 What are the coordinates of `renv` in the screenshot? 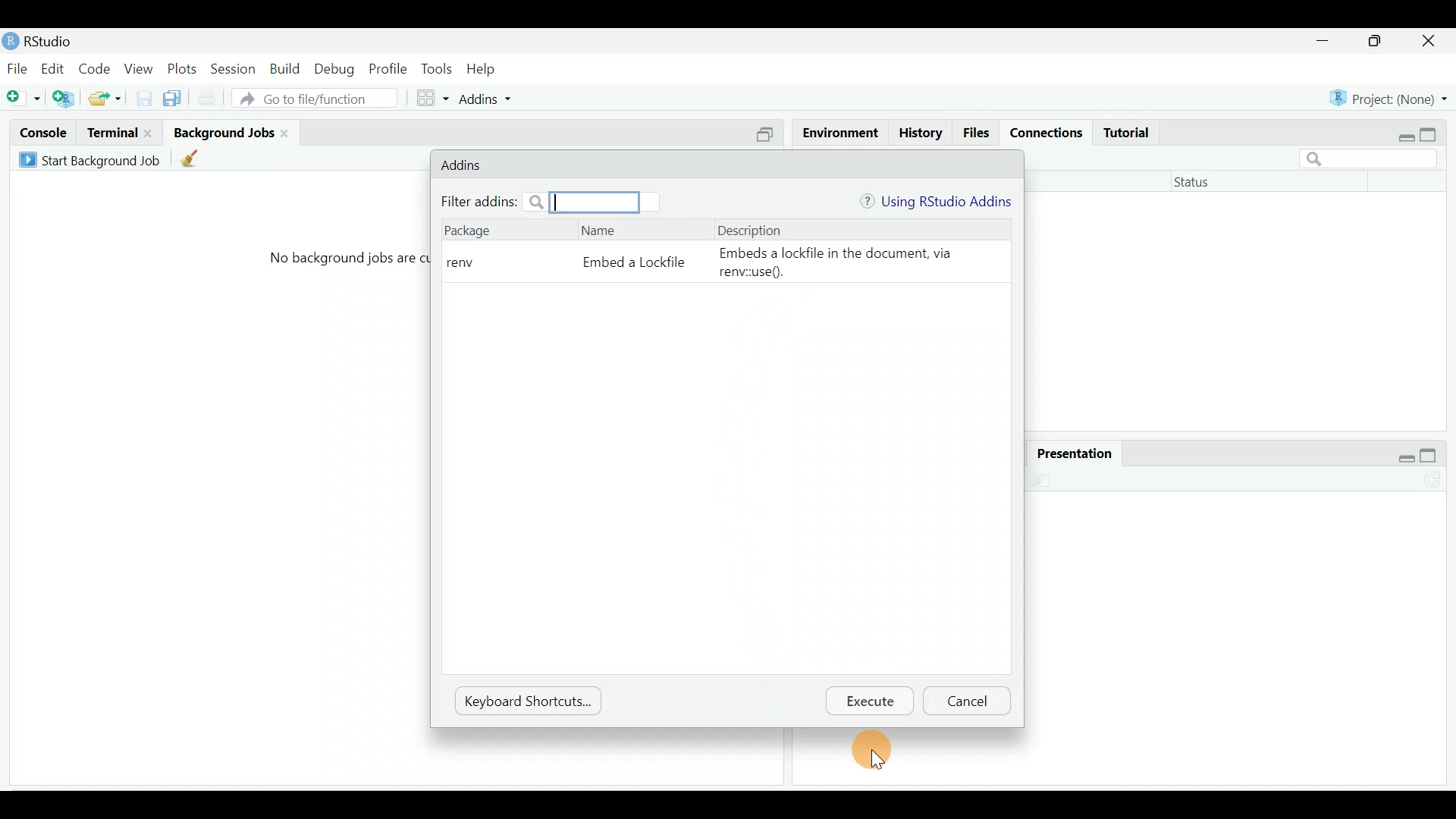 It's located at (464, 262).